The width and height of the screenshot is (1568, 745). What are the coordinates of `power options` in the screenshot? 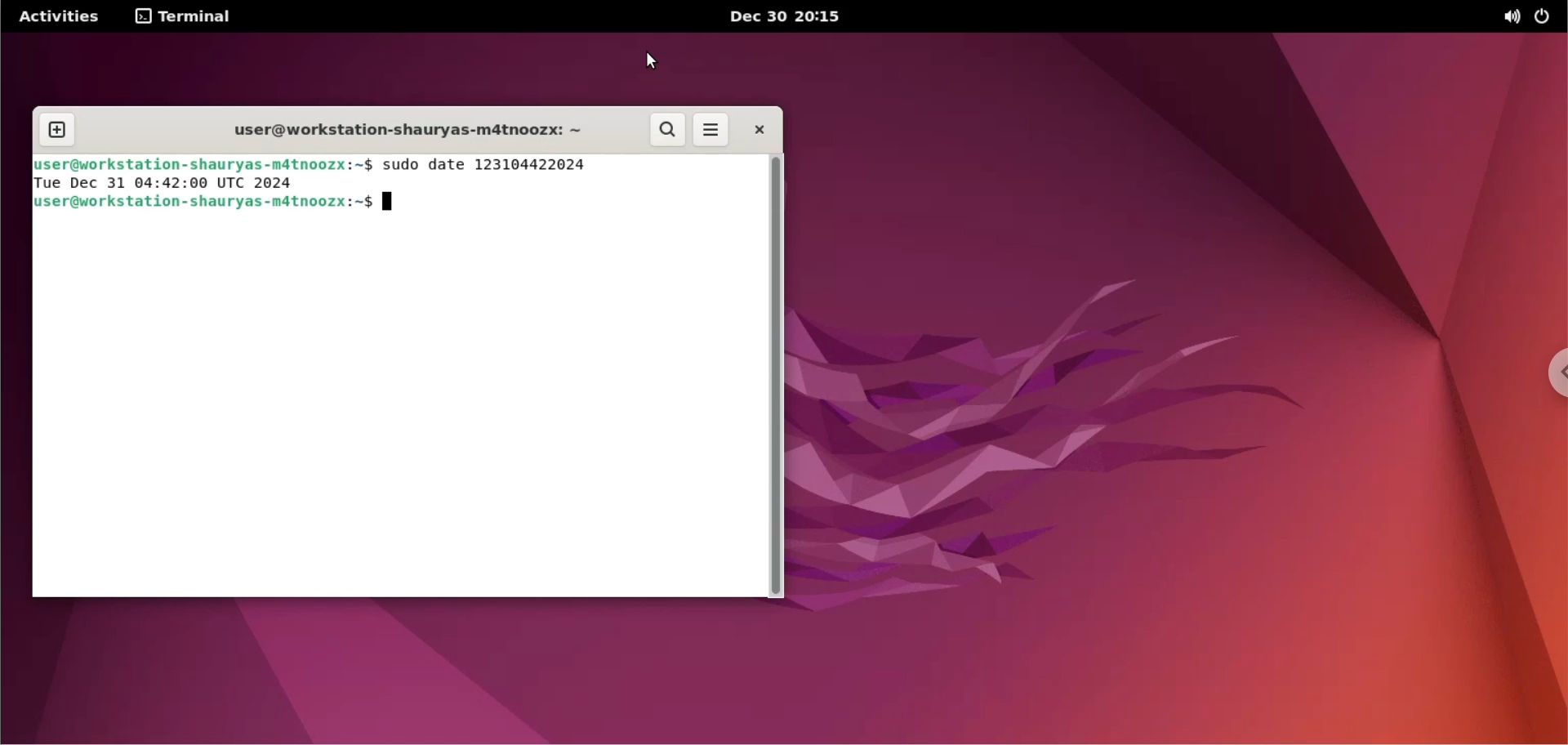 It's located at (1546, 17).